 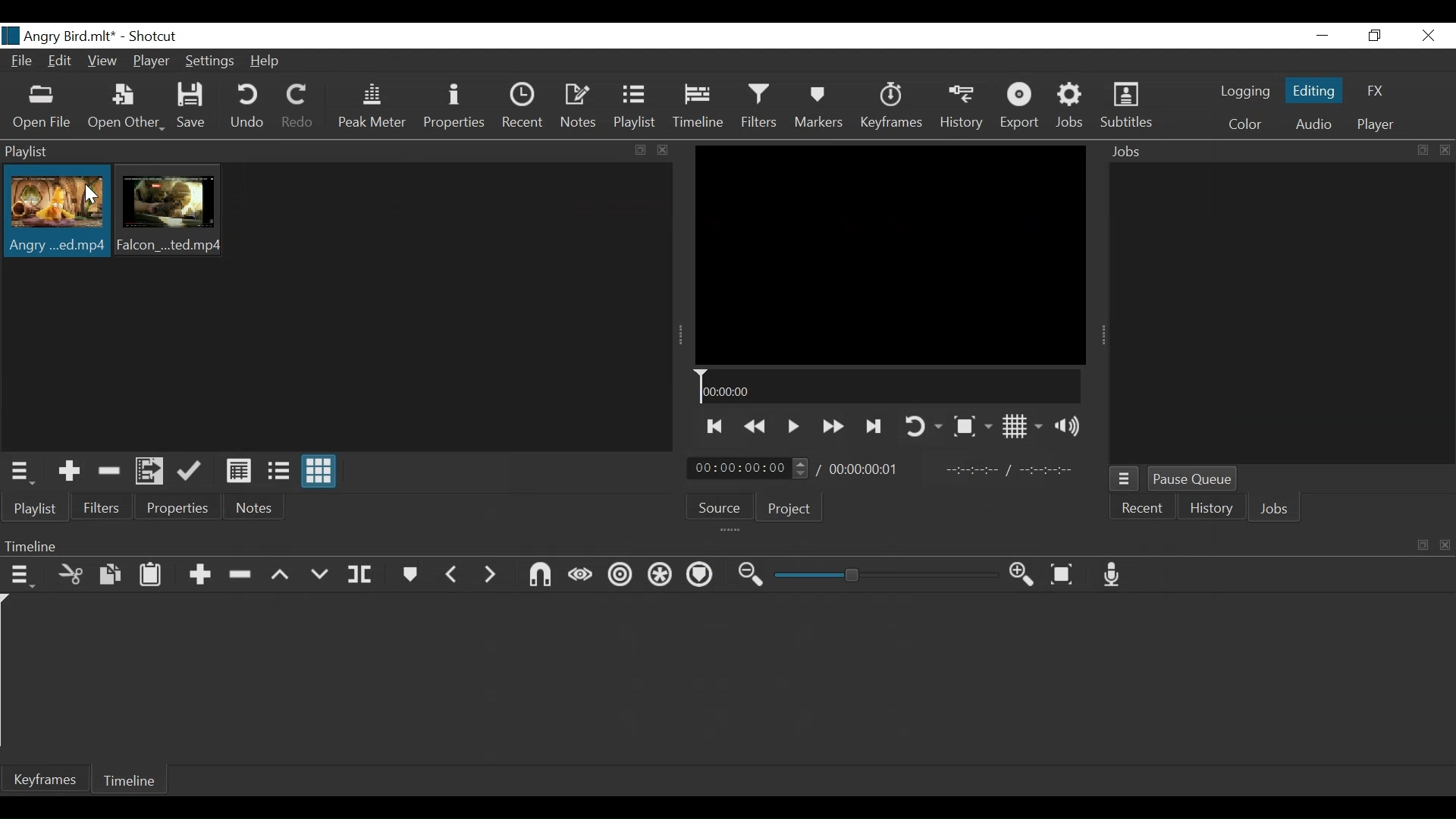 I want to click on Help, so click(x=269, y=61).